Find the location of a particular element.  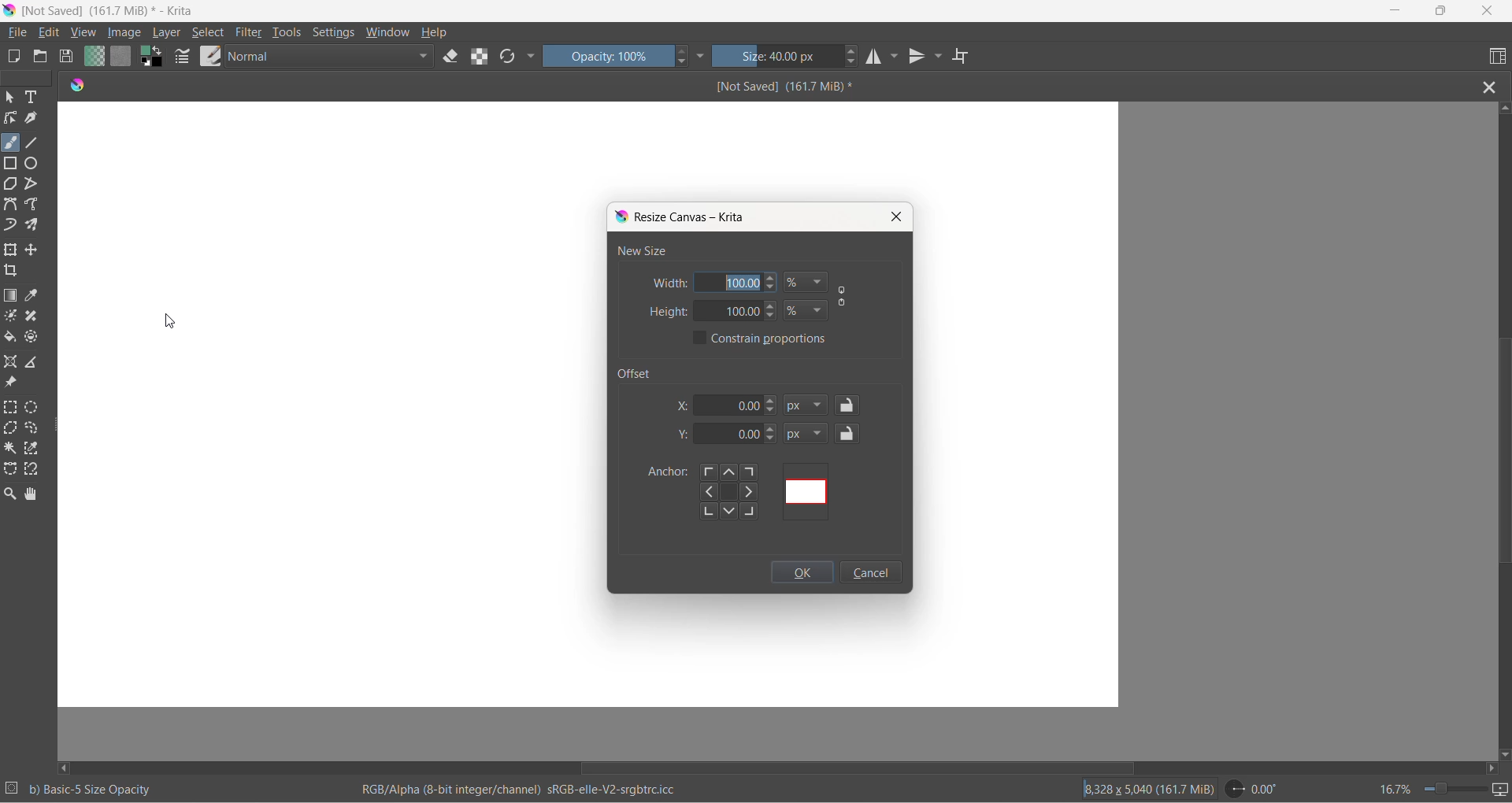

y-axis value lock is located at coordinates (849, 433).